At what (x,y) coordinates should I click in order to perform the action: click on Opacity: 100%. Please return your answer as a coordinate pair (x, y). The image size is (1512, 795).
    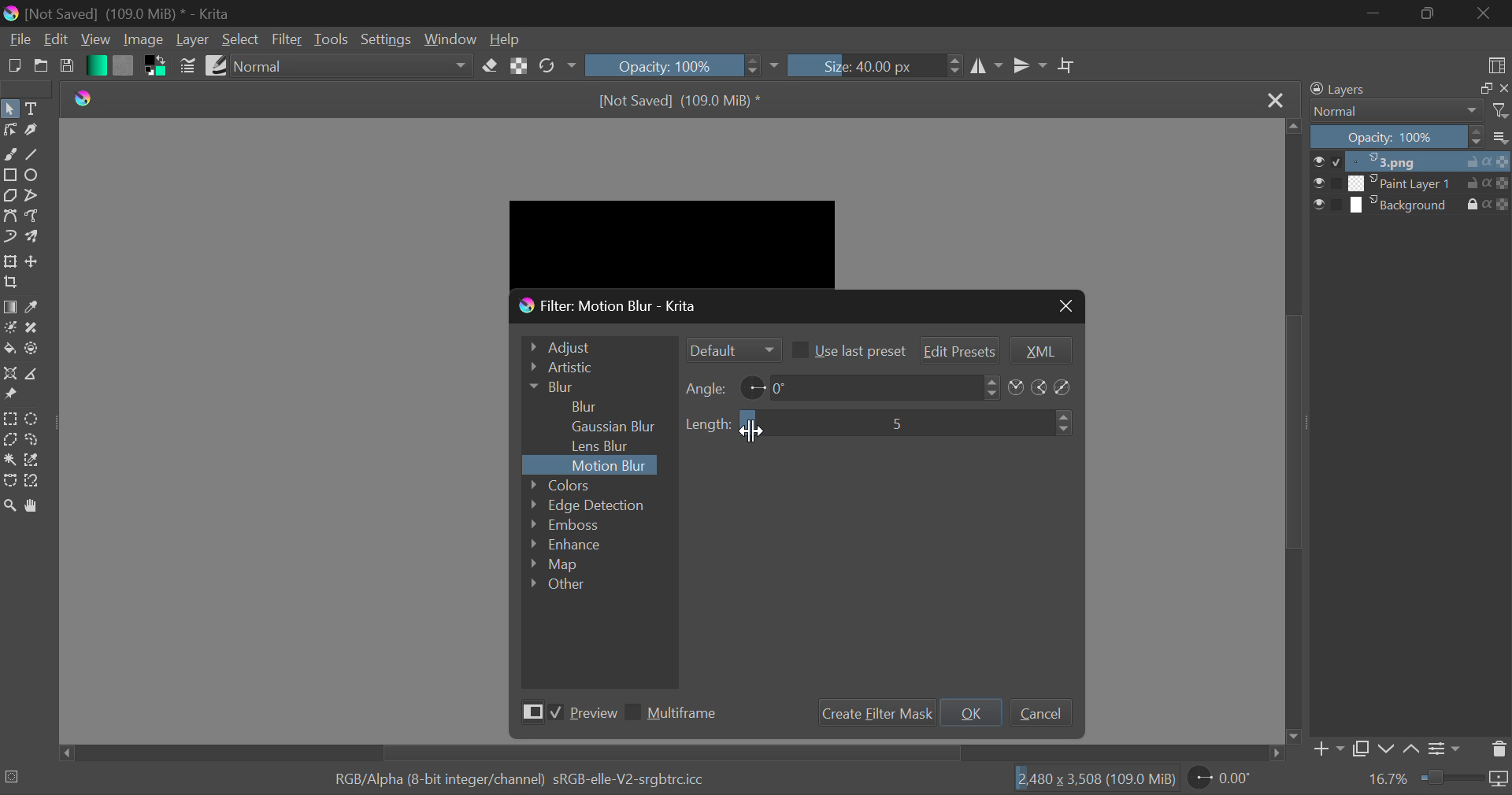
    Looking at the image, I should click on (661, 65).